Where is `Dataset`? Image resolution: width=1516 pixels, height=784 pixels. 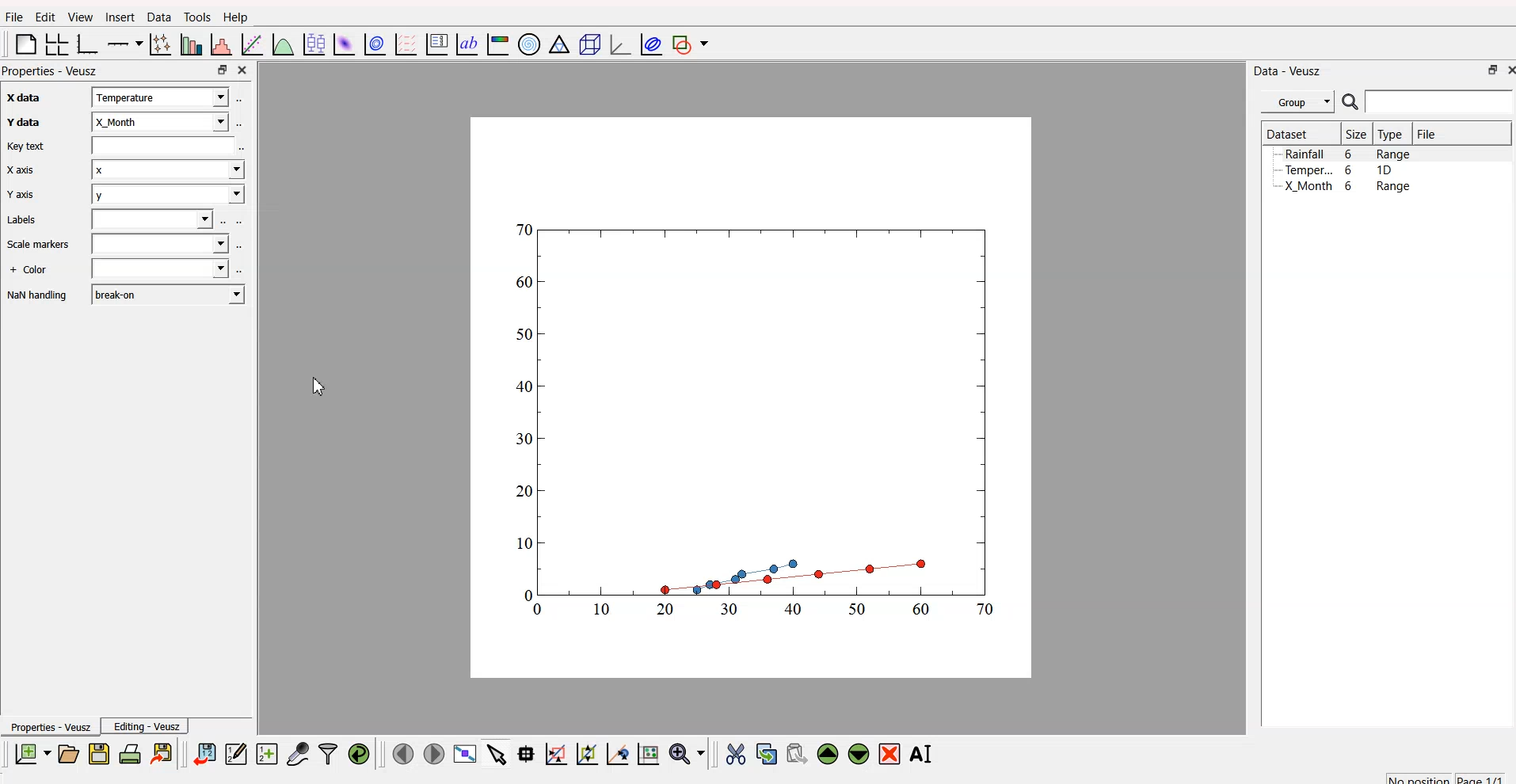 Dataset is located at coordinates (1287, 133).